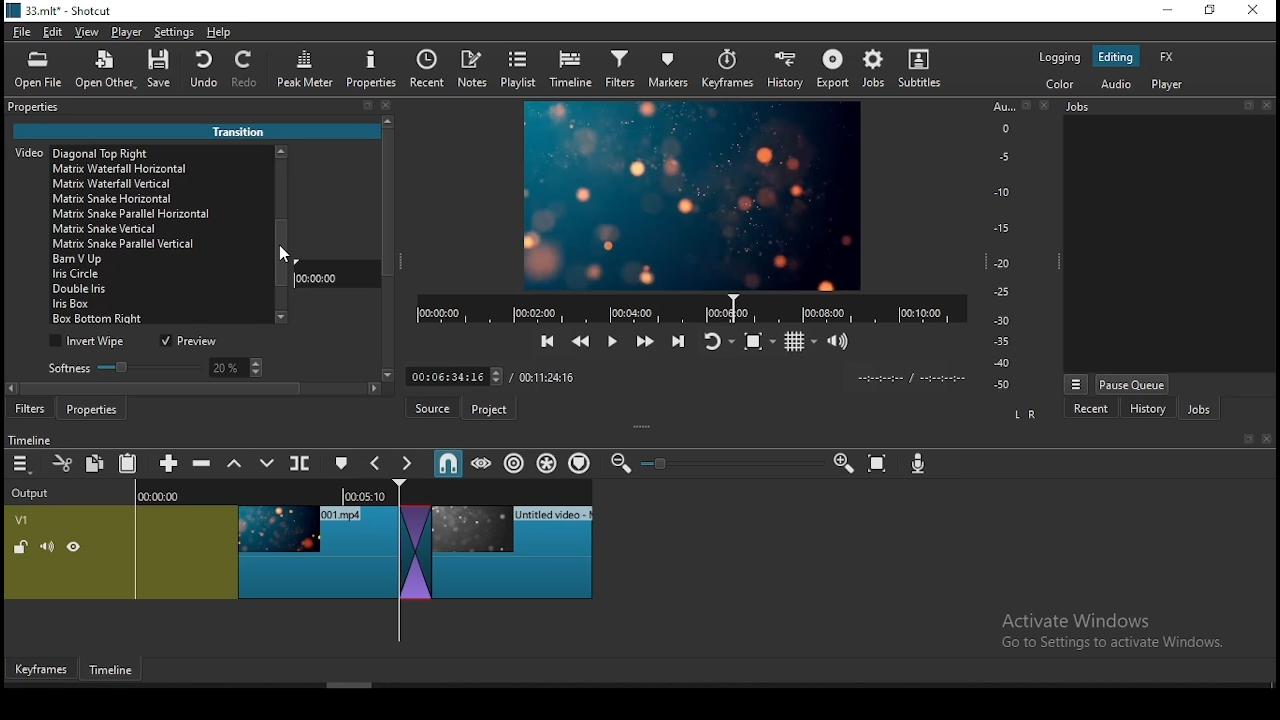 The height and width of the screenshot is (720, 1280). What do you see at coordinates (447, 463) in the screenshot?
I see `snap` at bounding box center [447, 463].